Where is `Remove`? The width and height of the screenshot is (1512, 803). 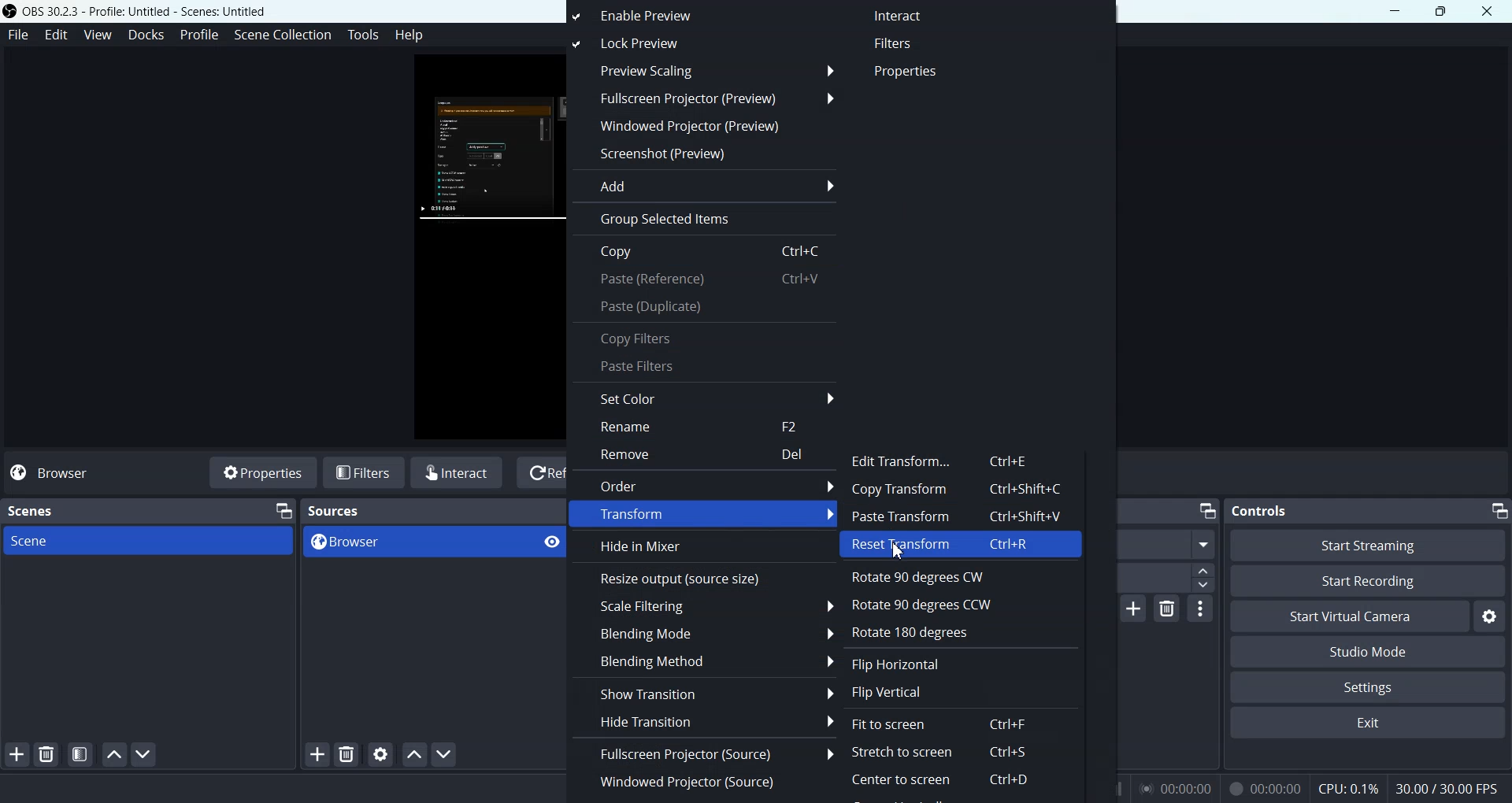
Remove is located at coordinates (706, 456).